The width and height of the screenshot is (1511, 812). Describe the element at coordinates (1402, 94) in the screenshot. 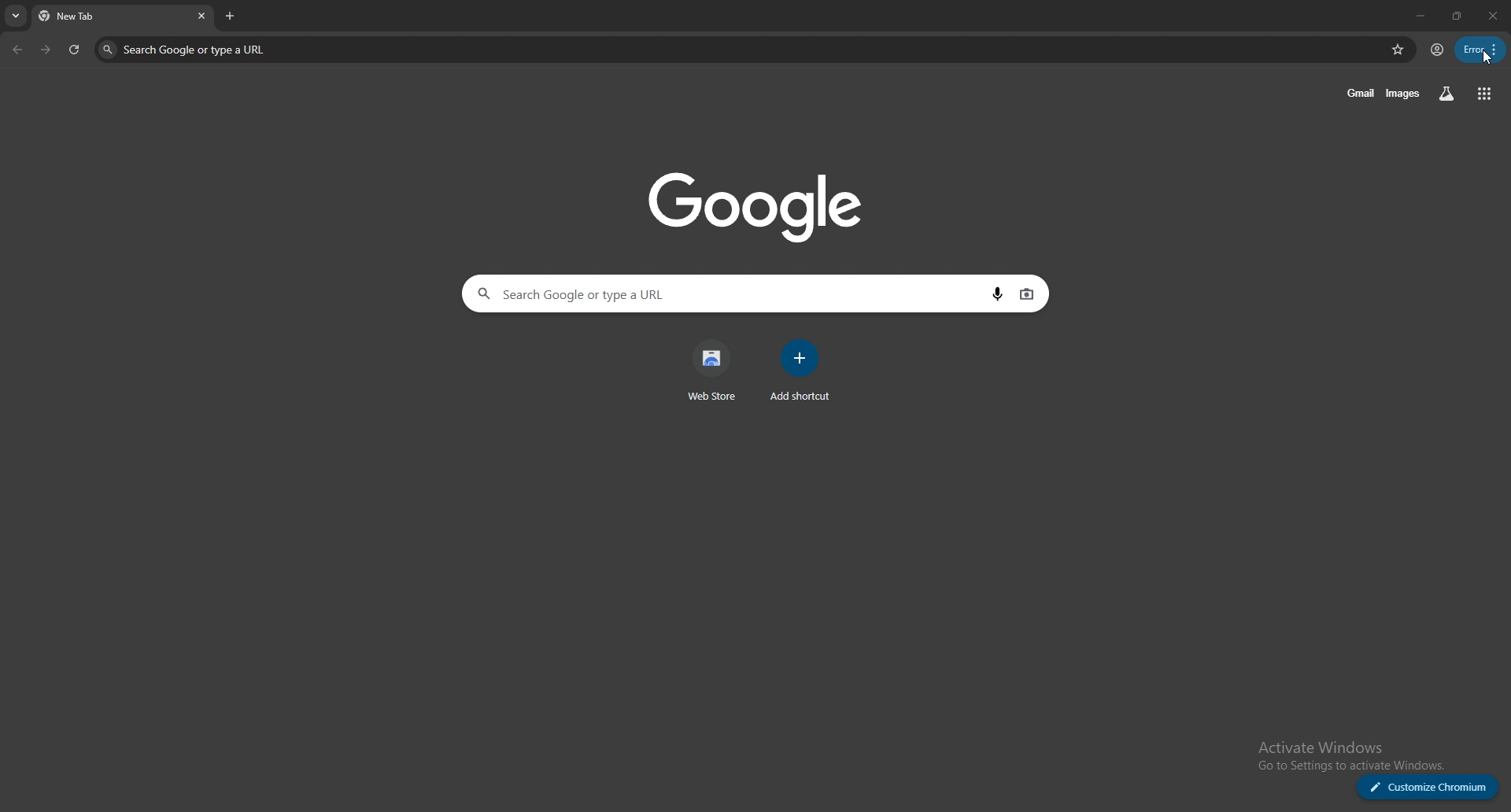

I see `images` at that location.